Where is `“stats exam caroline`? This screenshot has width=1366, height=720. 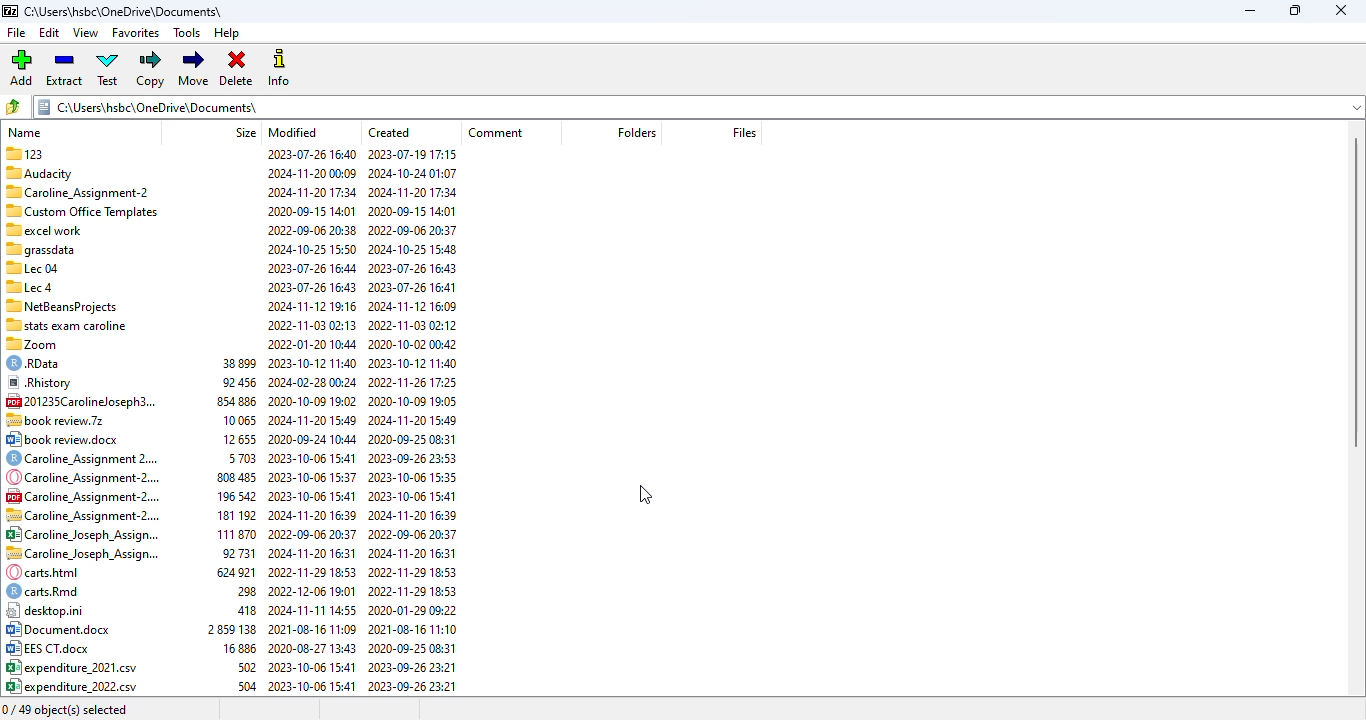
“stats exam caroline is located at coordinates (67, 325).